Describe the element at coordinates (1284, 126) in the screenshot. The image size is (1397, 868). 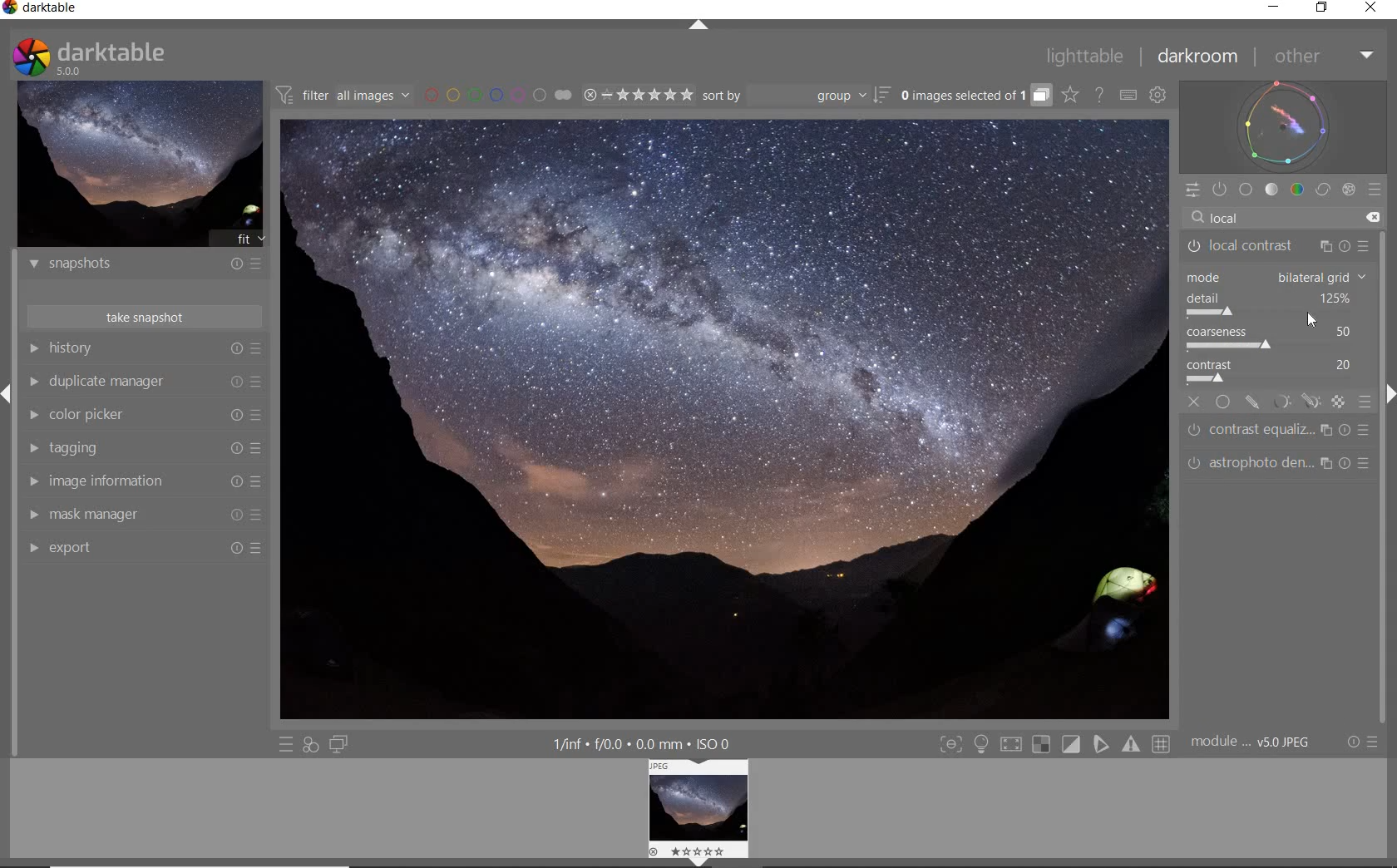
I see `WAVEFORM` at that location.